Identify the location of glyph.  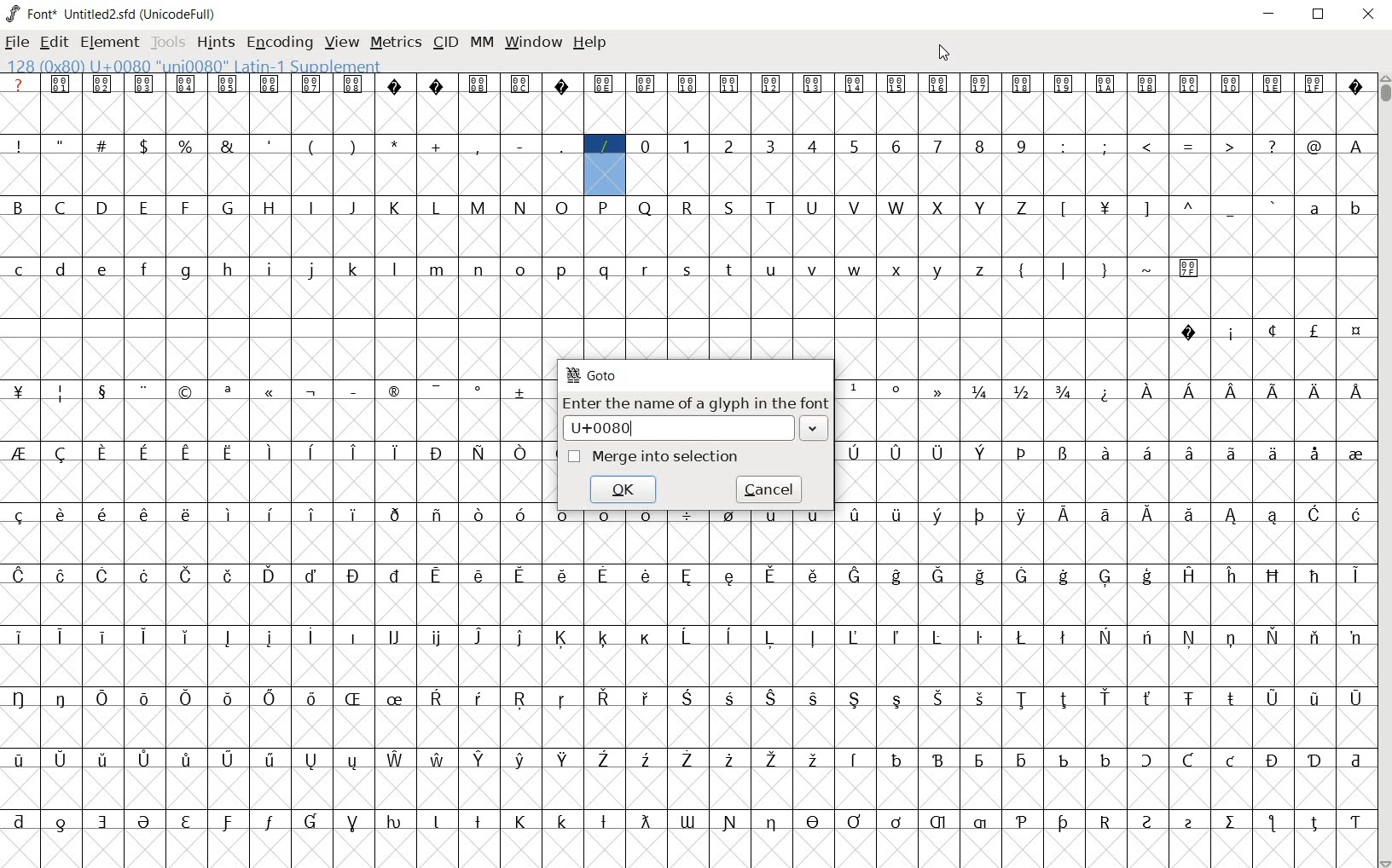
(1022, 146).